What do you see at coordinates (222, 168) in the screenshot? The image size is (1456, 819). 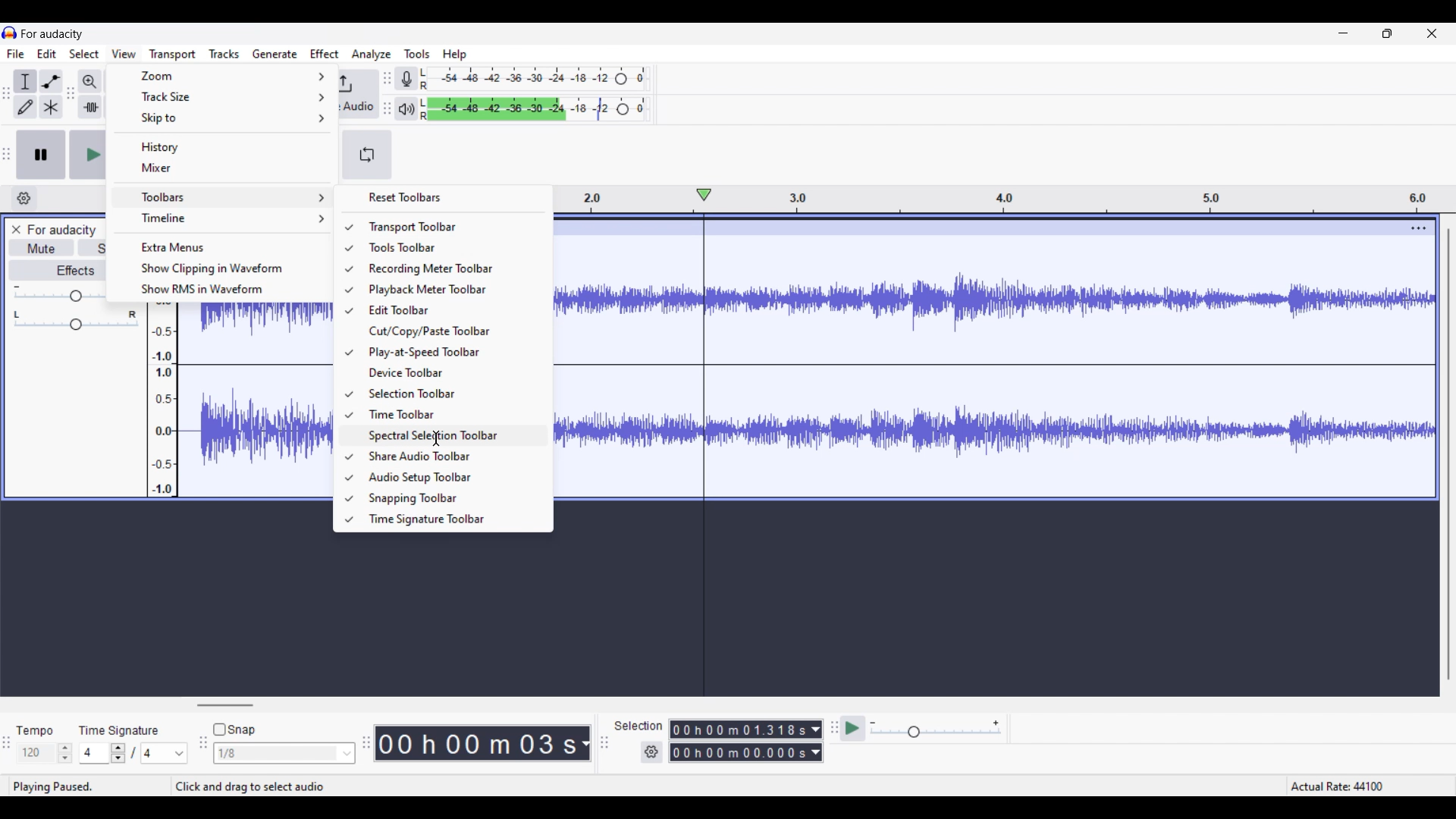 I see `Mixer` at bounding box center [222, 168].